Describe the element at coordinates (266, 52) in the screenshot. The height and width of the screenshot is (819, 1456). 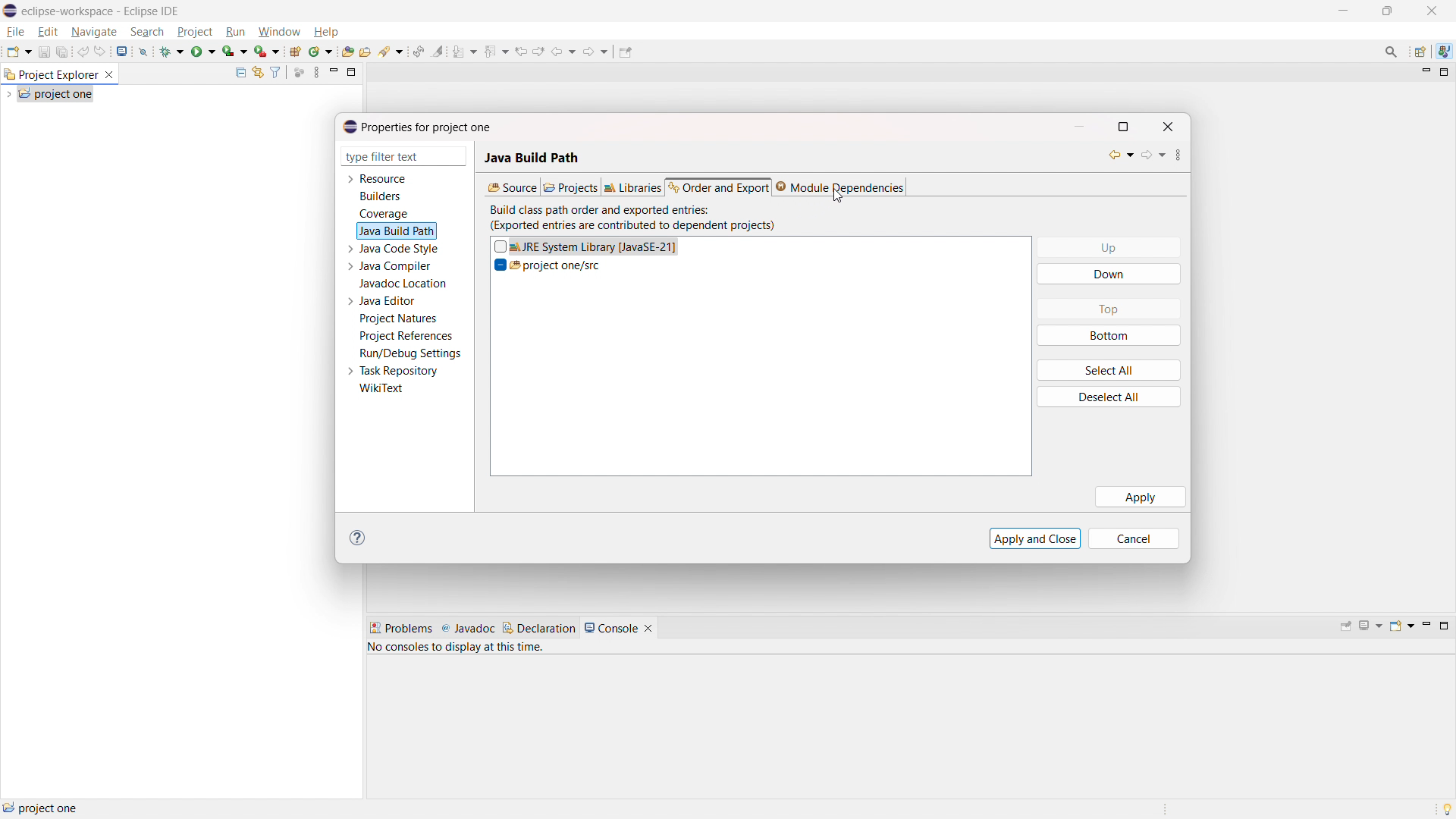
I see `use last tool` at that location.